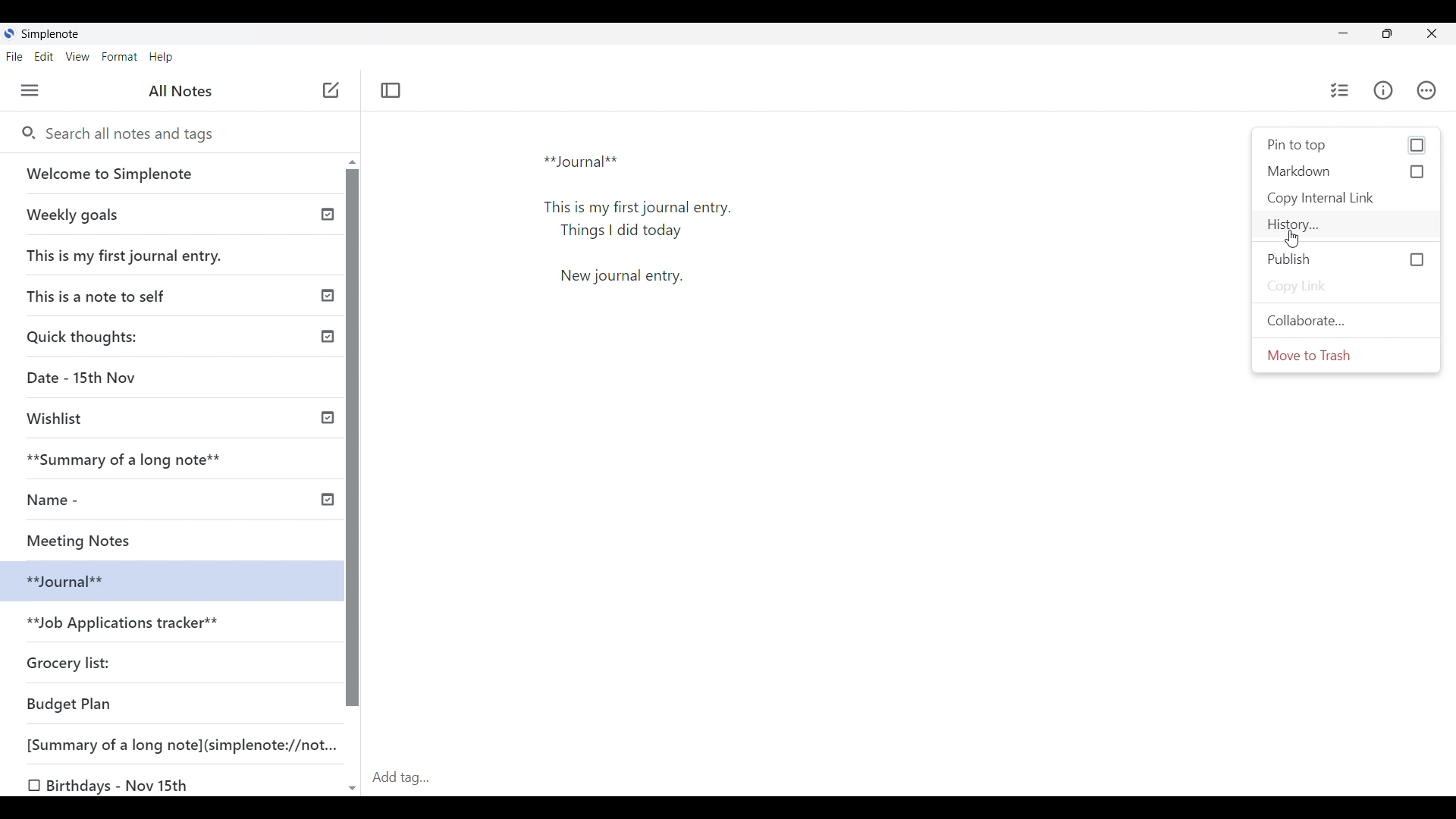 The height and width of the screenshot is (819, 1456). Describe the element at coordinates (102, 295) in the screenshot. I see `This is a note to self` at that location.